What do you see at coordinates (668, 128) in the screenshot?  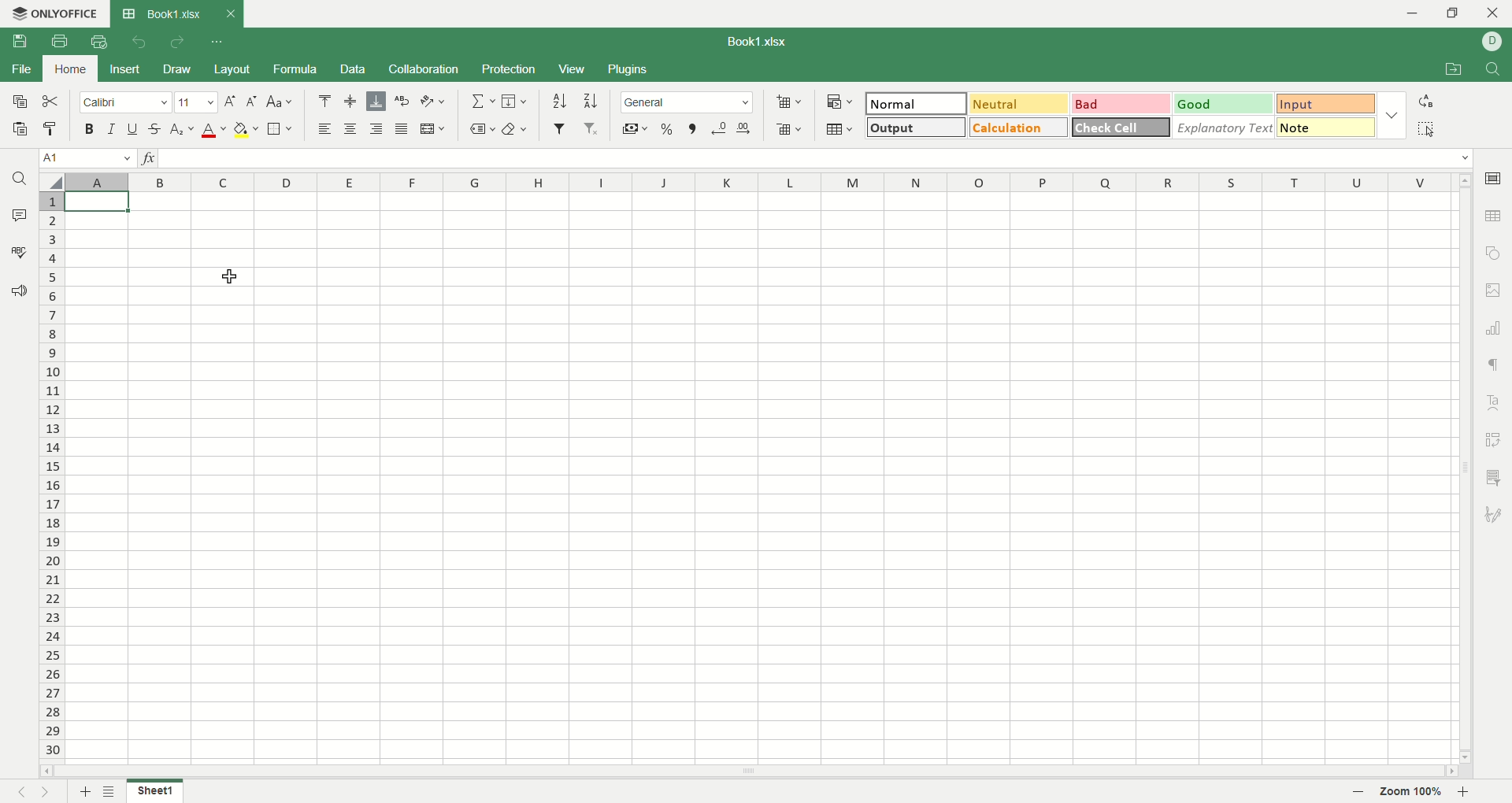 I see `percent style` at bounding box center [668, 128].